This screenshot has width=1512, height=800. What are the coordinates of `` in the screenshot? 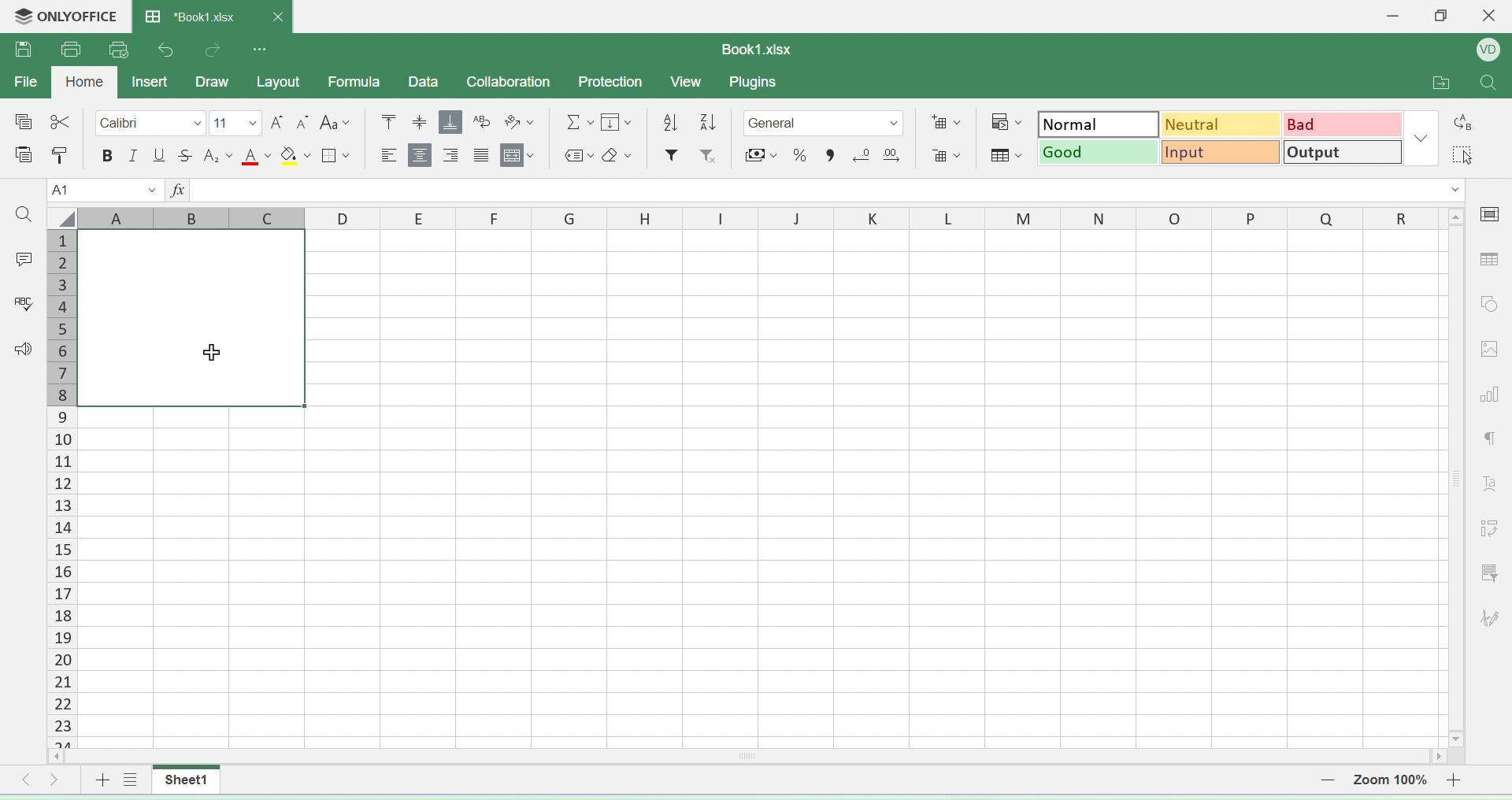 It's located at (87, 83).